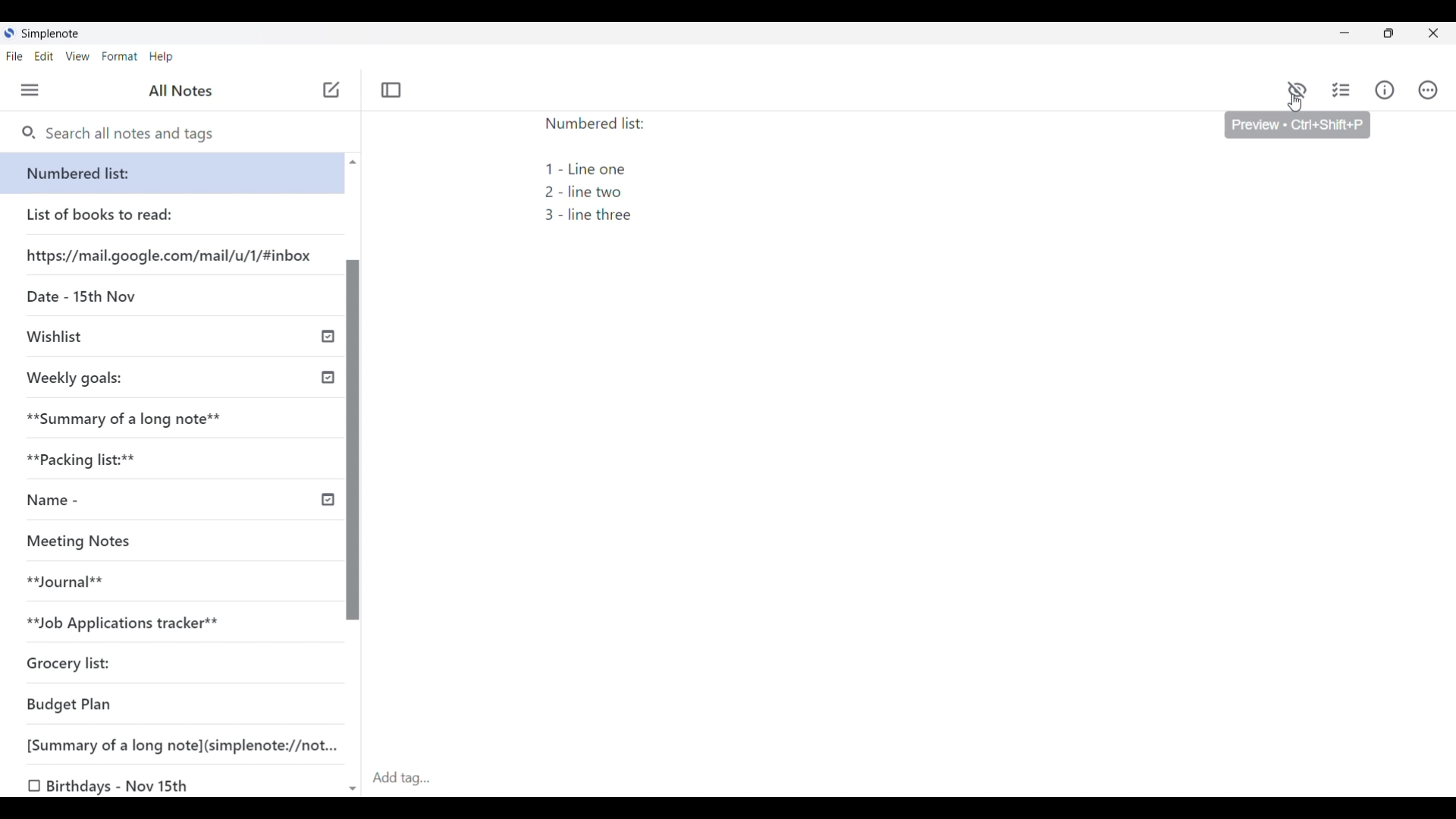  What do you see at coordinates (911, 779) in the screenshot?
I see `Click to add tag` at bounding box center [911, 779].